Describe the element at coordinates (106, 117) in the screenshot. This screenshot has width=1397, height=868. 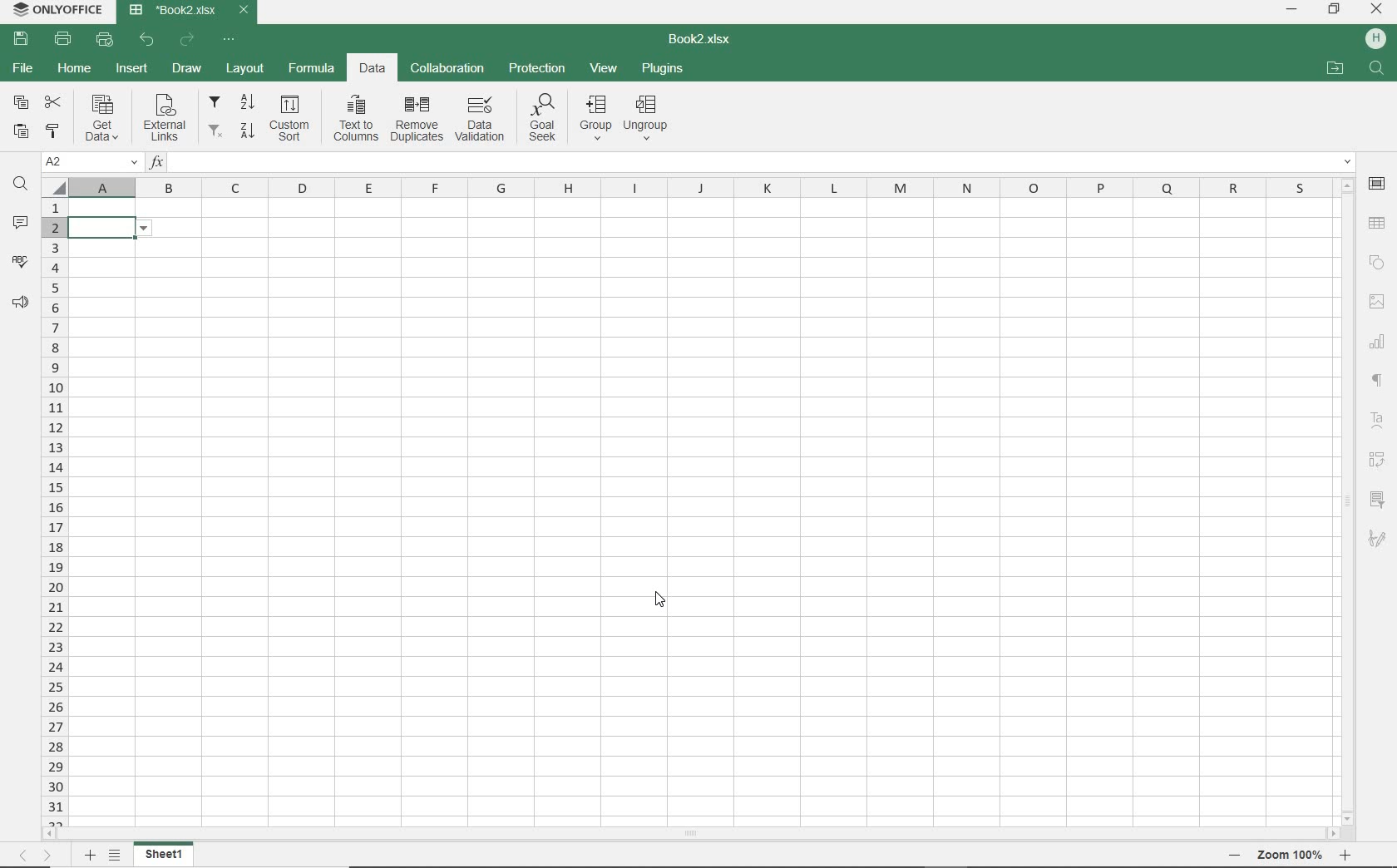
I see `get data` at that location.